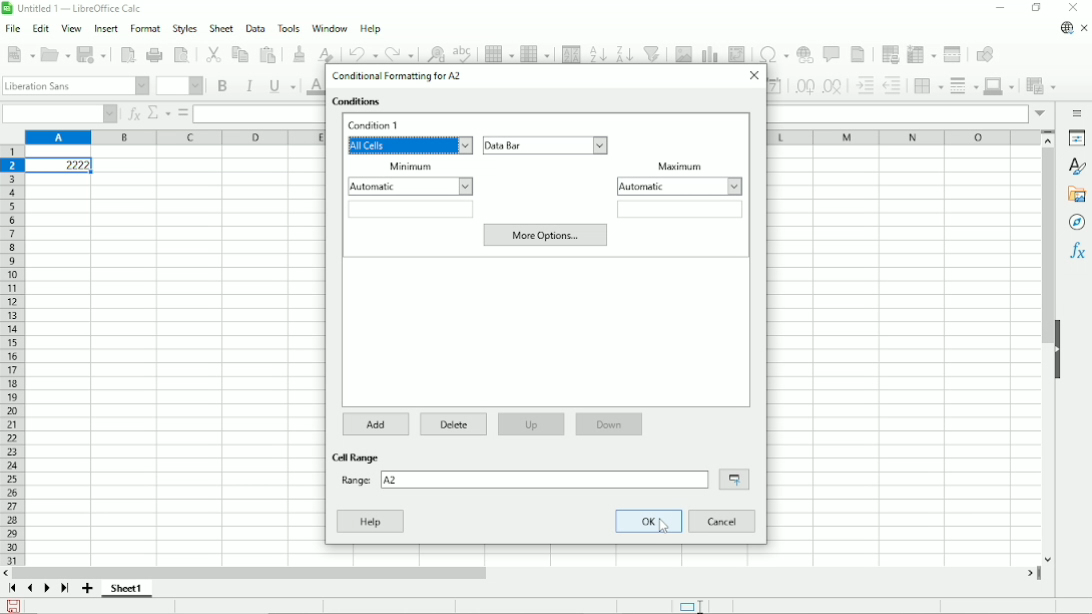  What do you see at coordinates (834, 53) in the screenshot?
I see `Insert comment` at bounding box center [834, 53].